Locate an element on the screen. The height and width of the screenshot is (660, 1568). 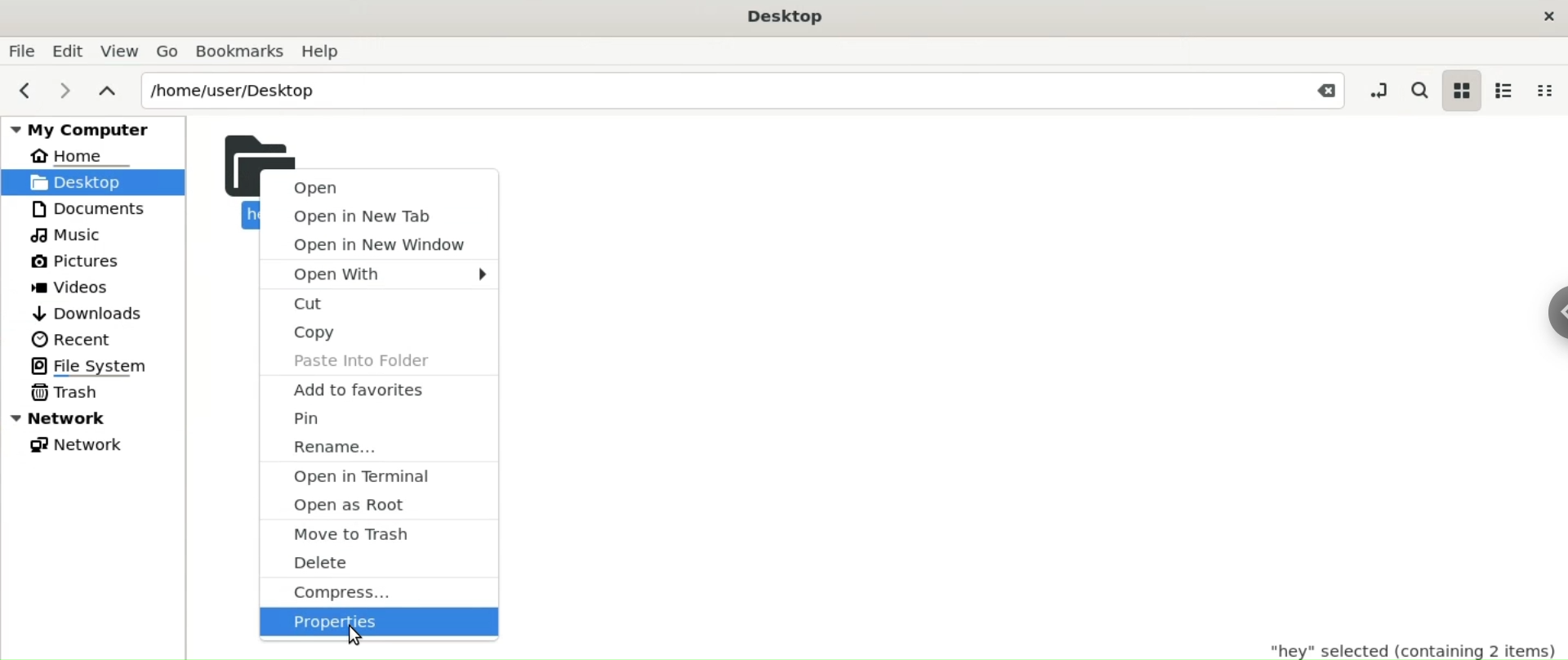
Edit is located at coordinates (70, 49).